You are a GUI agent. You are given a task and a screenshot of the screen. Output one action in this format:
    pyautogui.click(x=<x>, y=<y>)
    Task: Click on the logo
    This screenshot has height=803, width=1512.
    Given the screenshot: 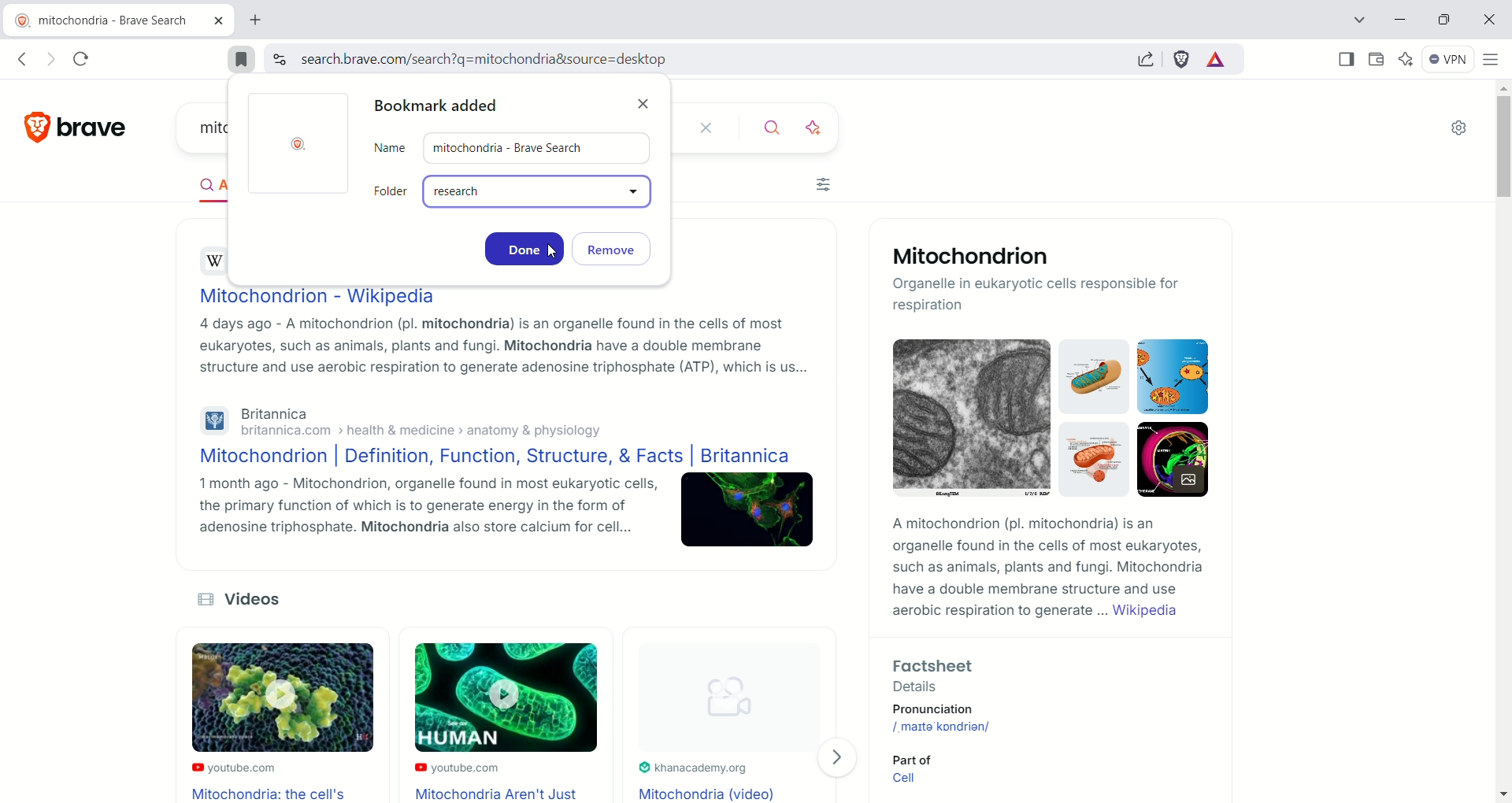 What is the action you would take?
    pyautogui.click(x=29, y=128)
    